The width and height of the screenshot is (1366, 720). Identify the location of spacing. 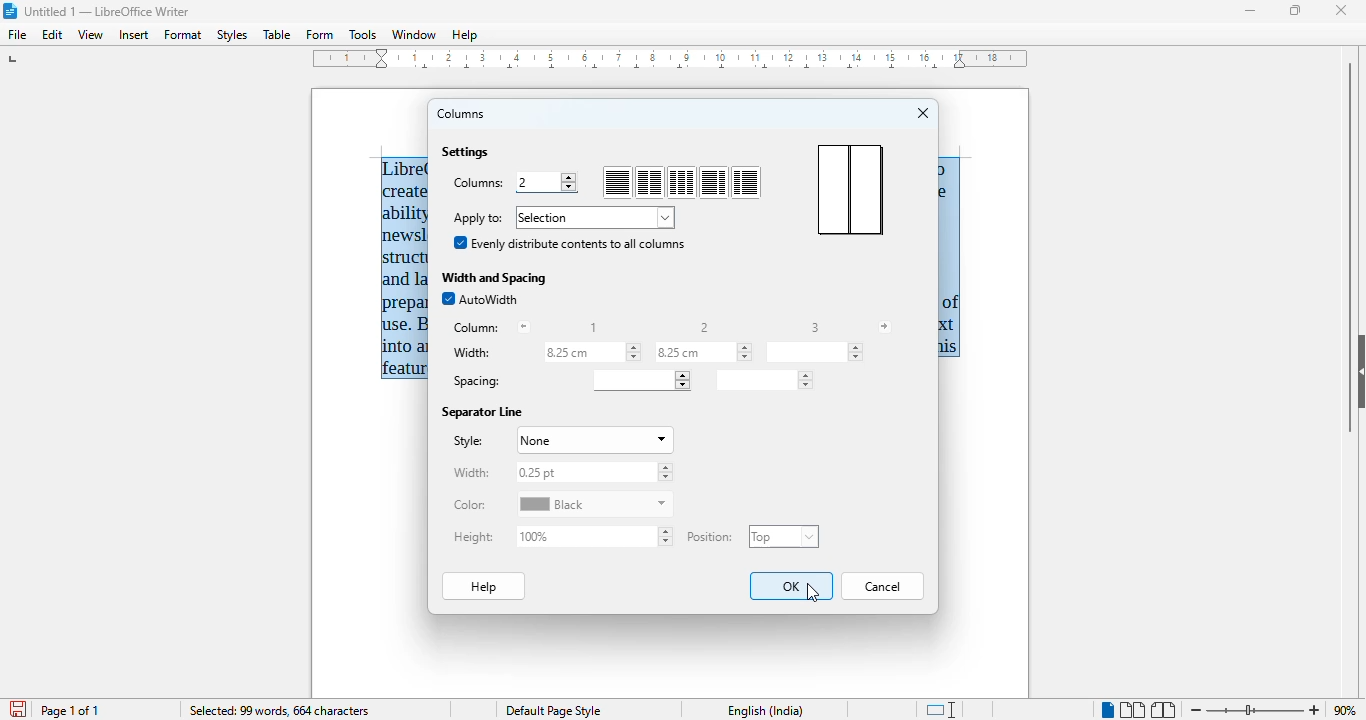
(763, 380).